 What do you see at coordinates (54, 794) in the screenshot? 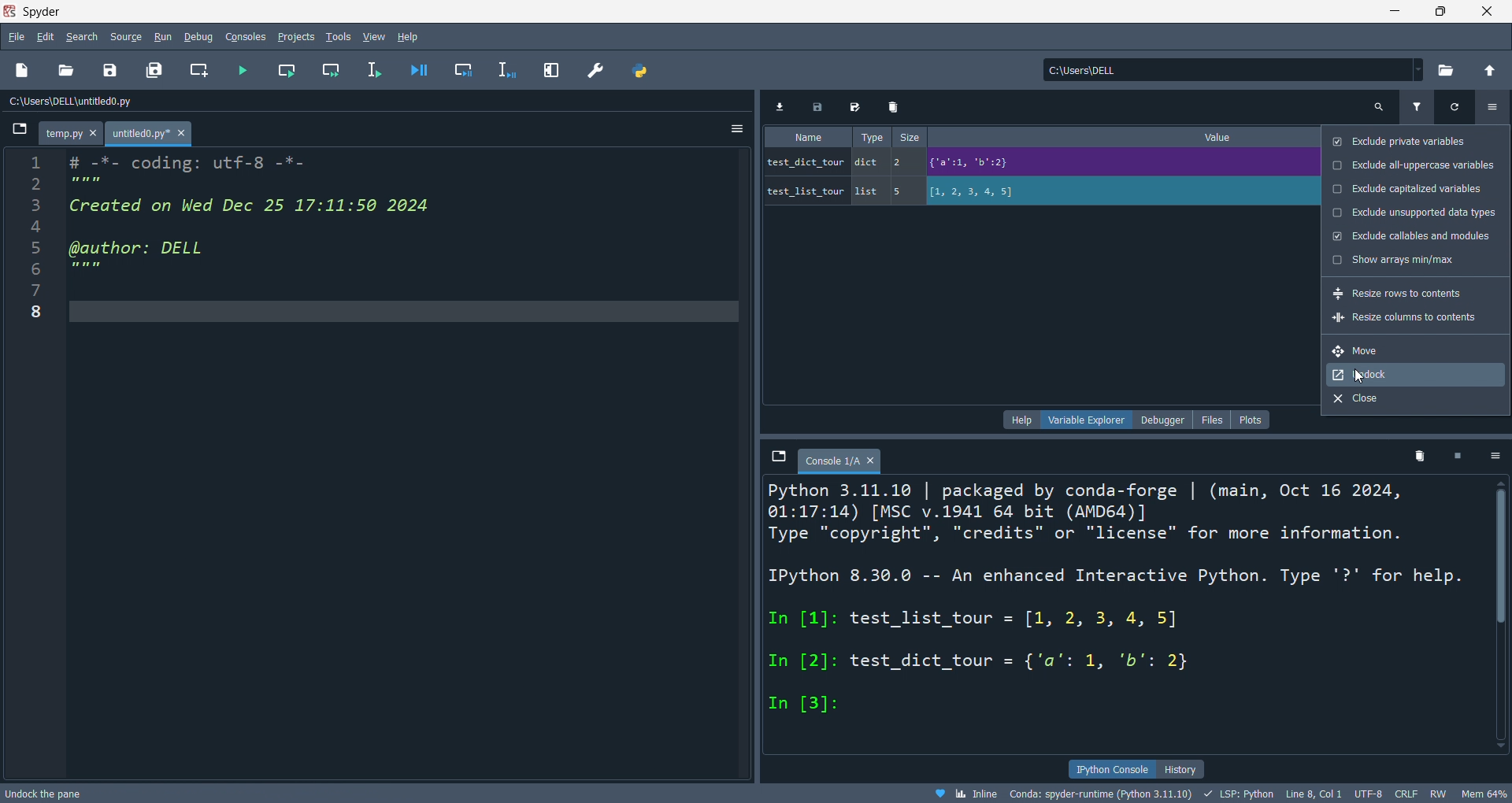
I see `unlock the pane` at bounding box center [54, 794].